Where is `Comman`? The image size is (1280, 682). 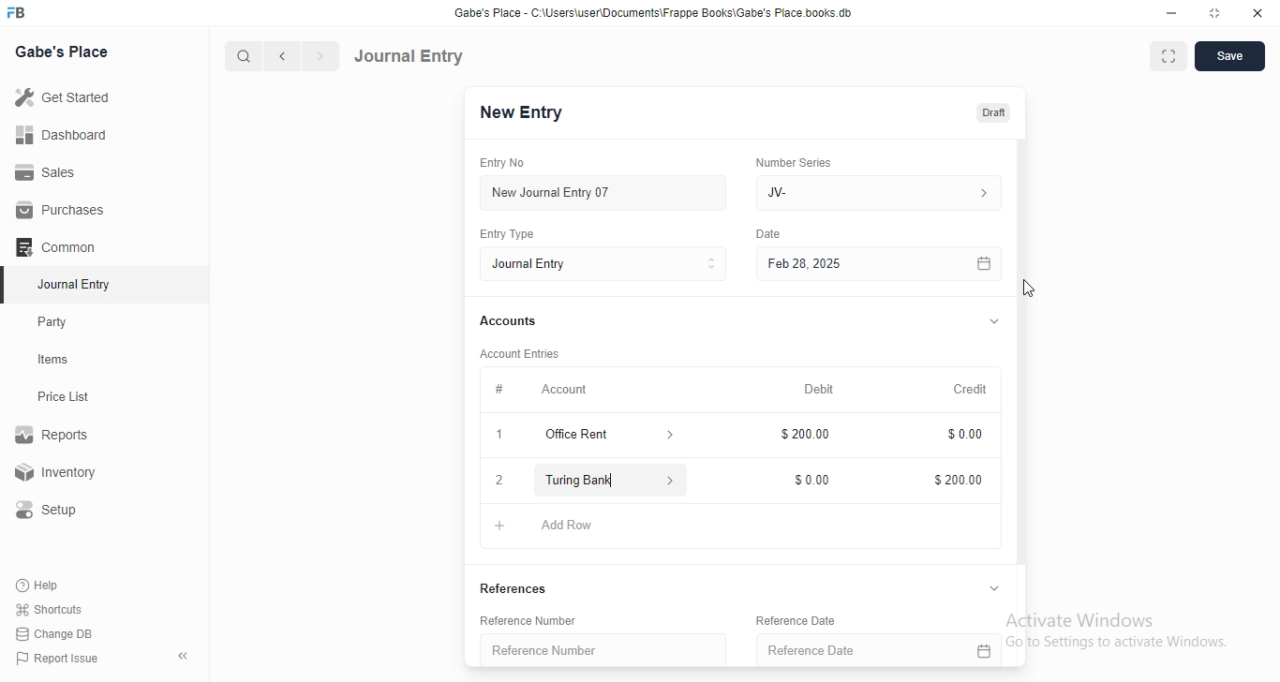 Comman is located at coordinates (49, 247).